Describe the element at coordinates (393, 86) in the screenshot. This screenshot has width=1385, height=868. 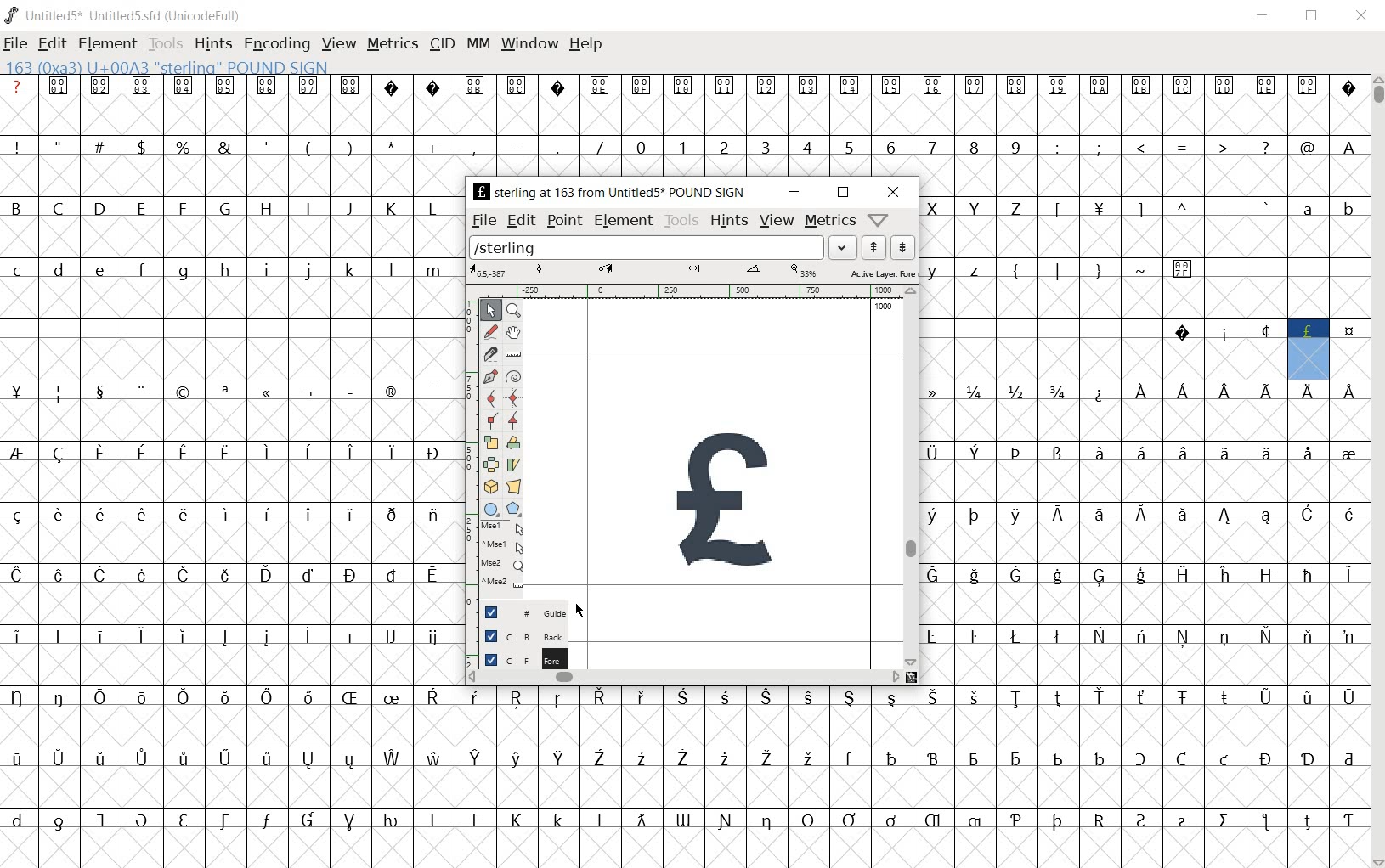
I see `Symbol` at that location.